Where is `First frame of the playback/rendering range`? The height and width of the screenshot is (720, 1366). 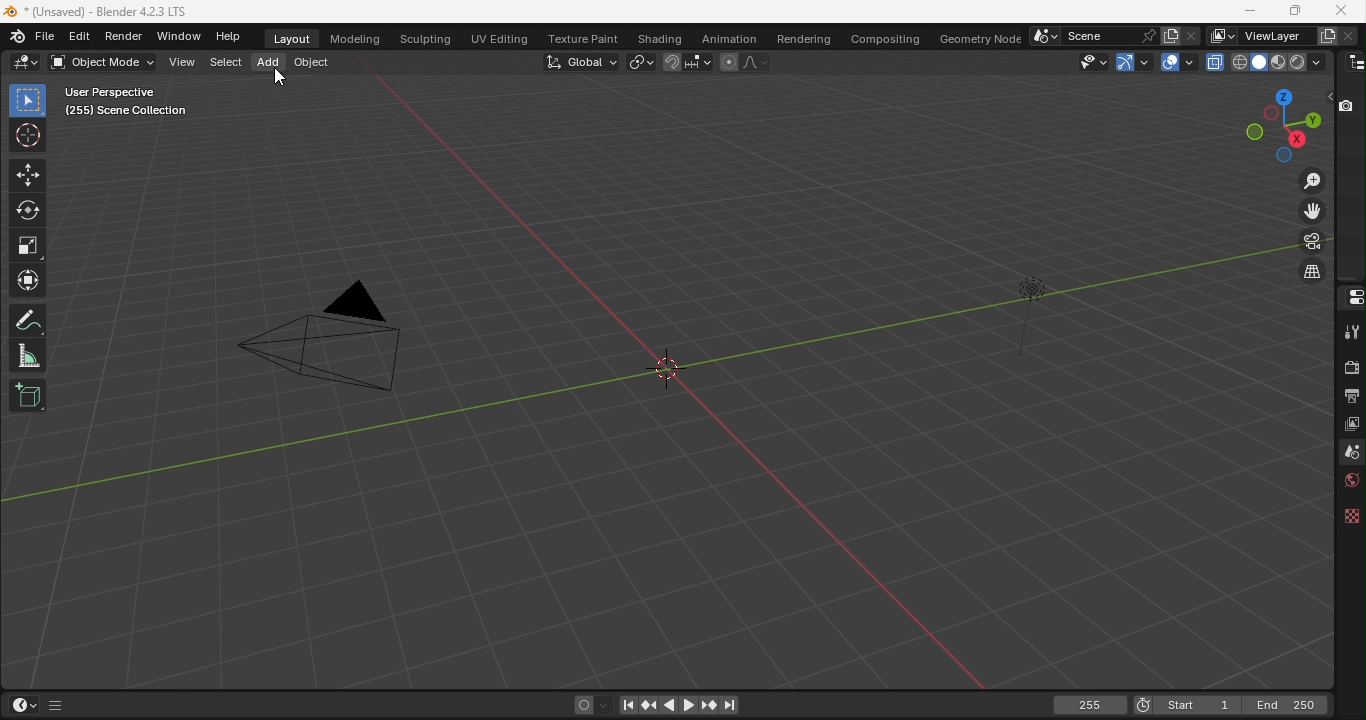 First frame of the playback/rendering range is located at coordinates (1198, 705).